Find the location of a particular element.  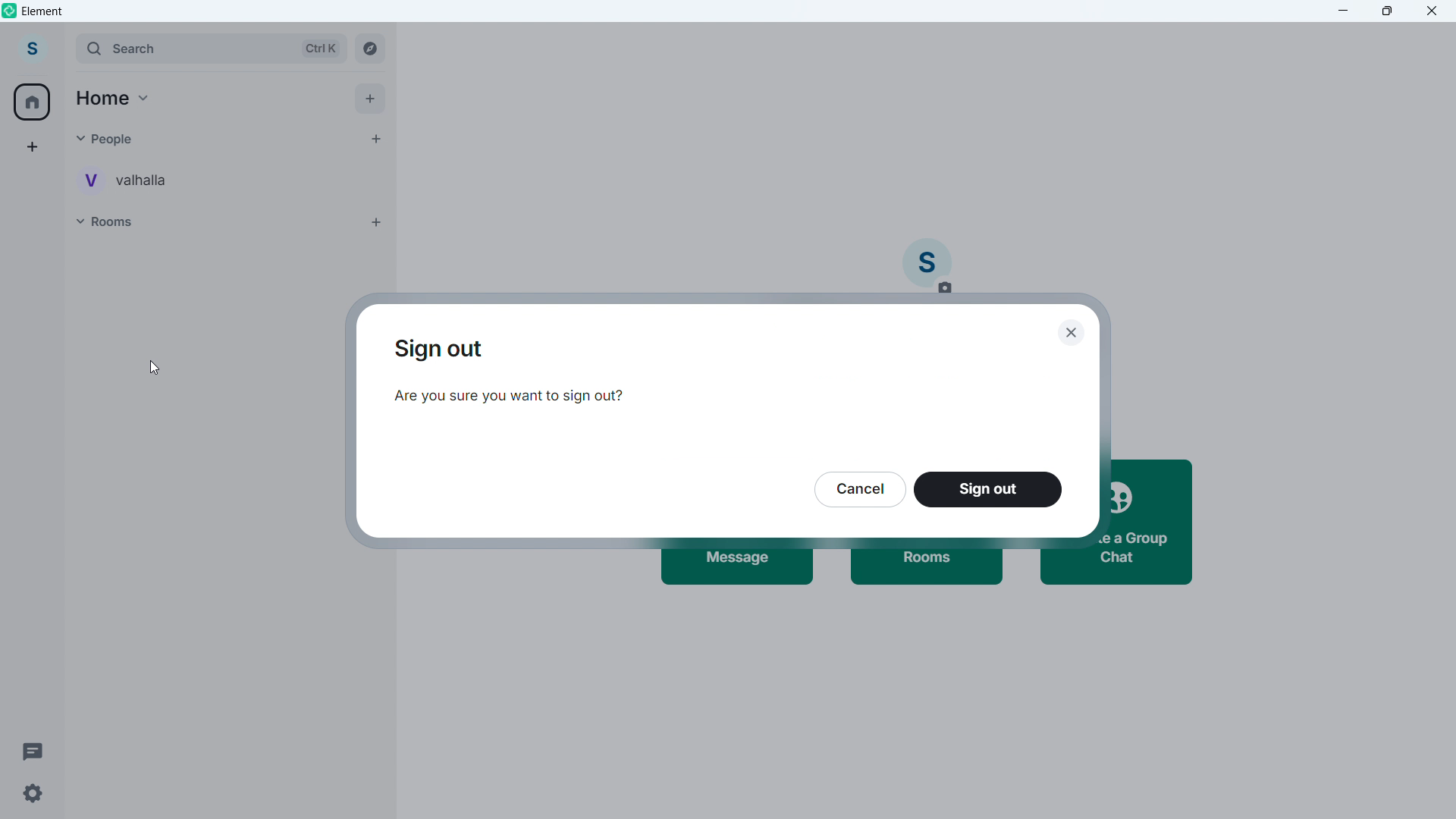

Explore public rooms  is located at coordinates (927, 573).